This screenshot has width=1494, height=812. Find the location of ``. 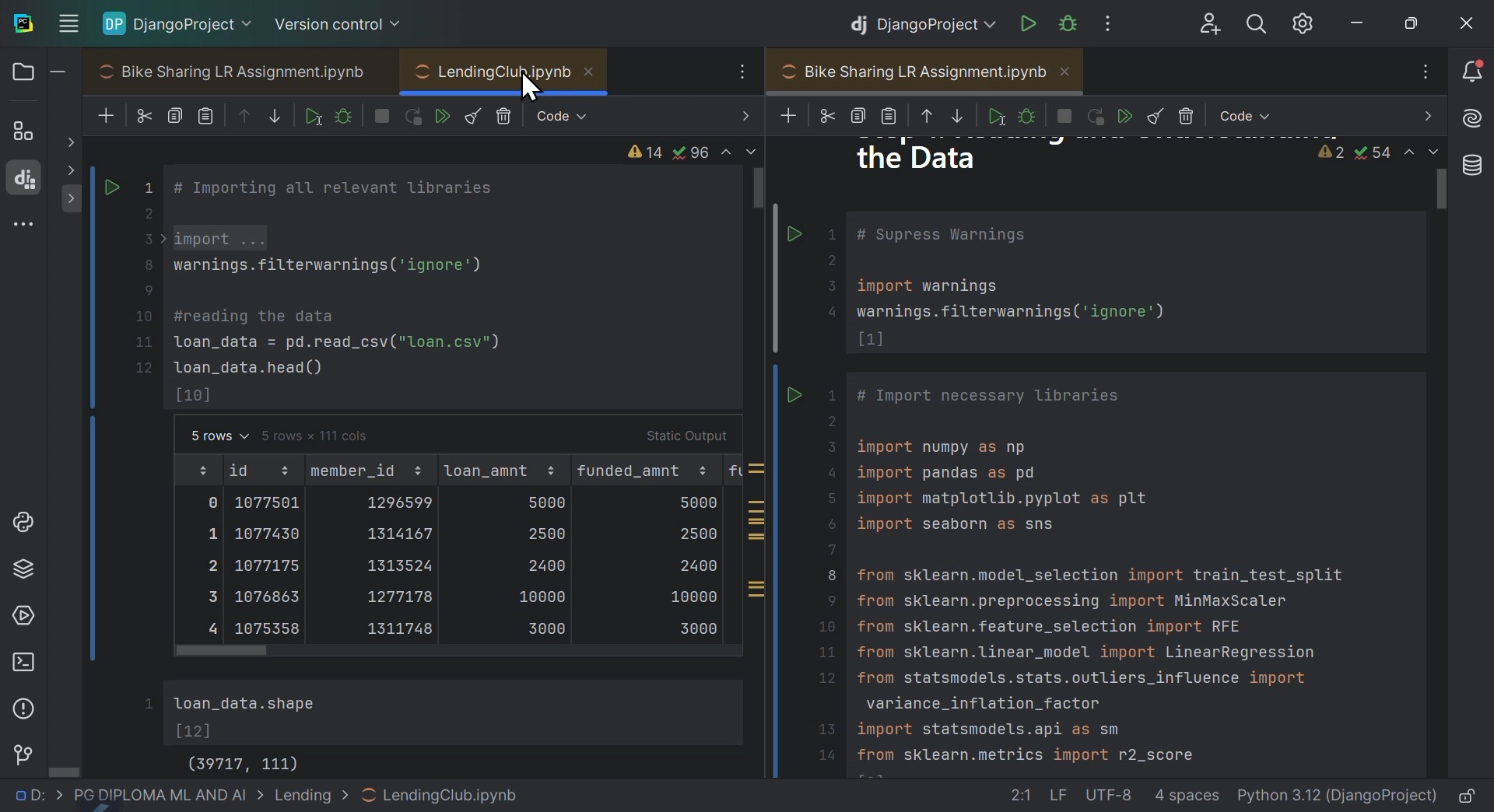

 is located at coordinates (1154, 116).